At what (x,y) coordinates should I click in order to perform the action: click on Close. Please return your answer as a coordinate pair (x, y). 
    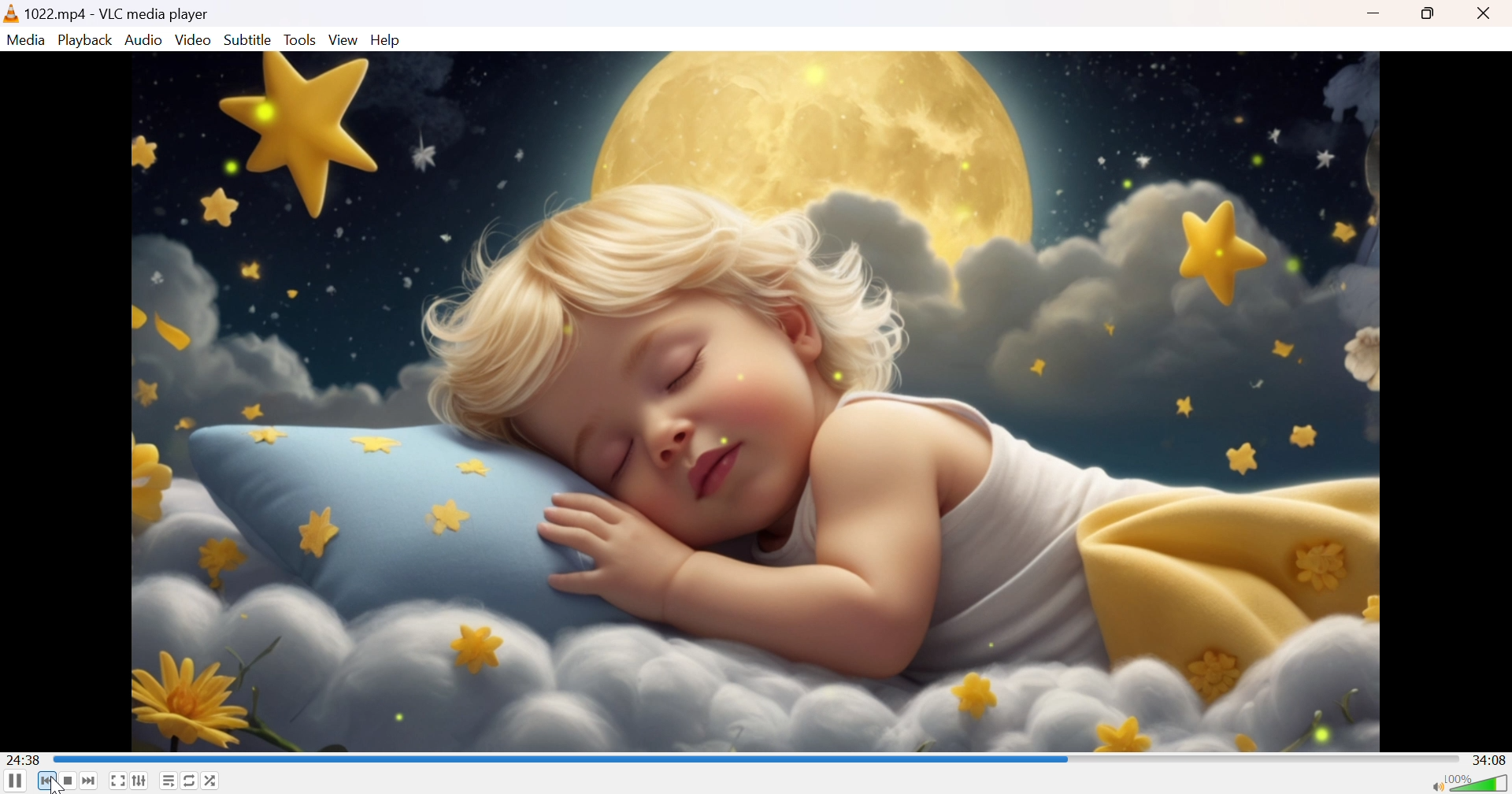
    Looking at the image, I should click on (1484, 14).